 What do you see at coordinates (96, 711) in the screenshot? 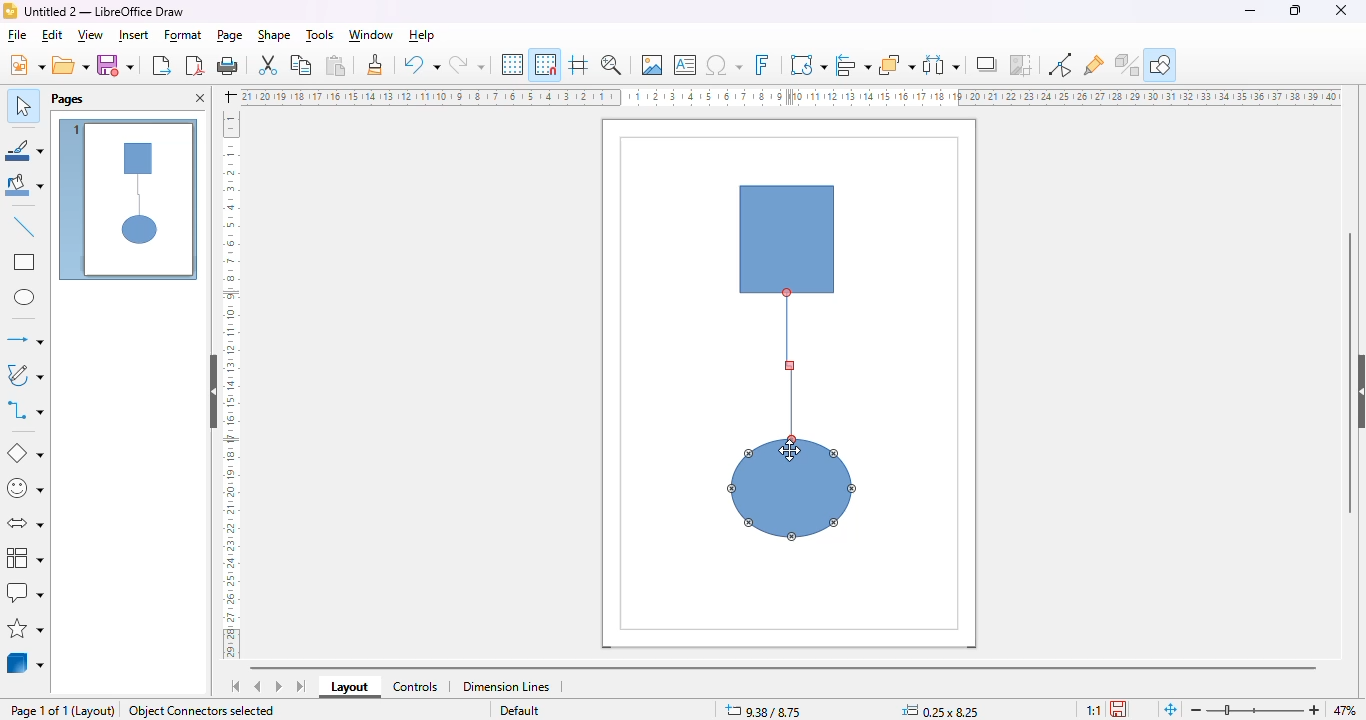
I see `layout` at bounding box center [96, 711].